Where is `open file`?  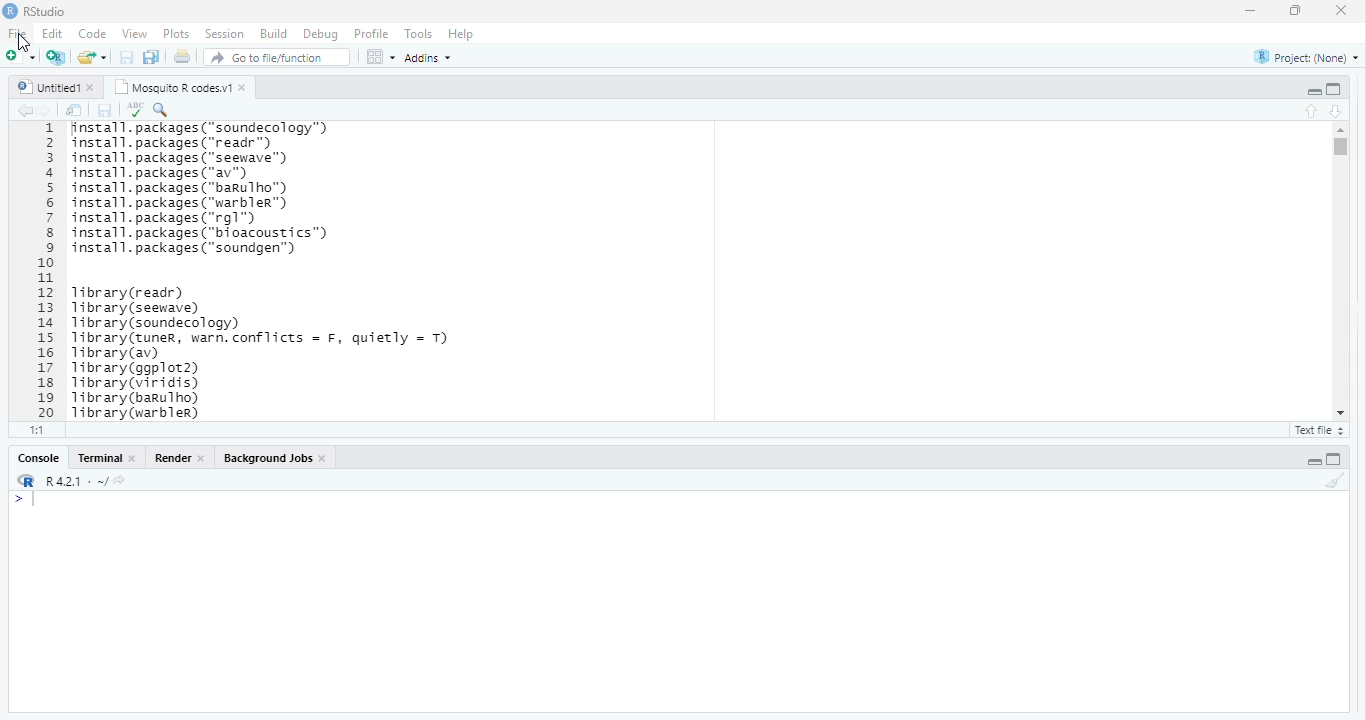
open file is located at coordinates (22, 56).